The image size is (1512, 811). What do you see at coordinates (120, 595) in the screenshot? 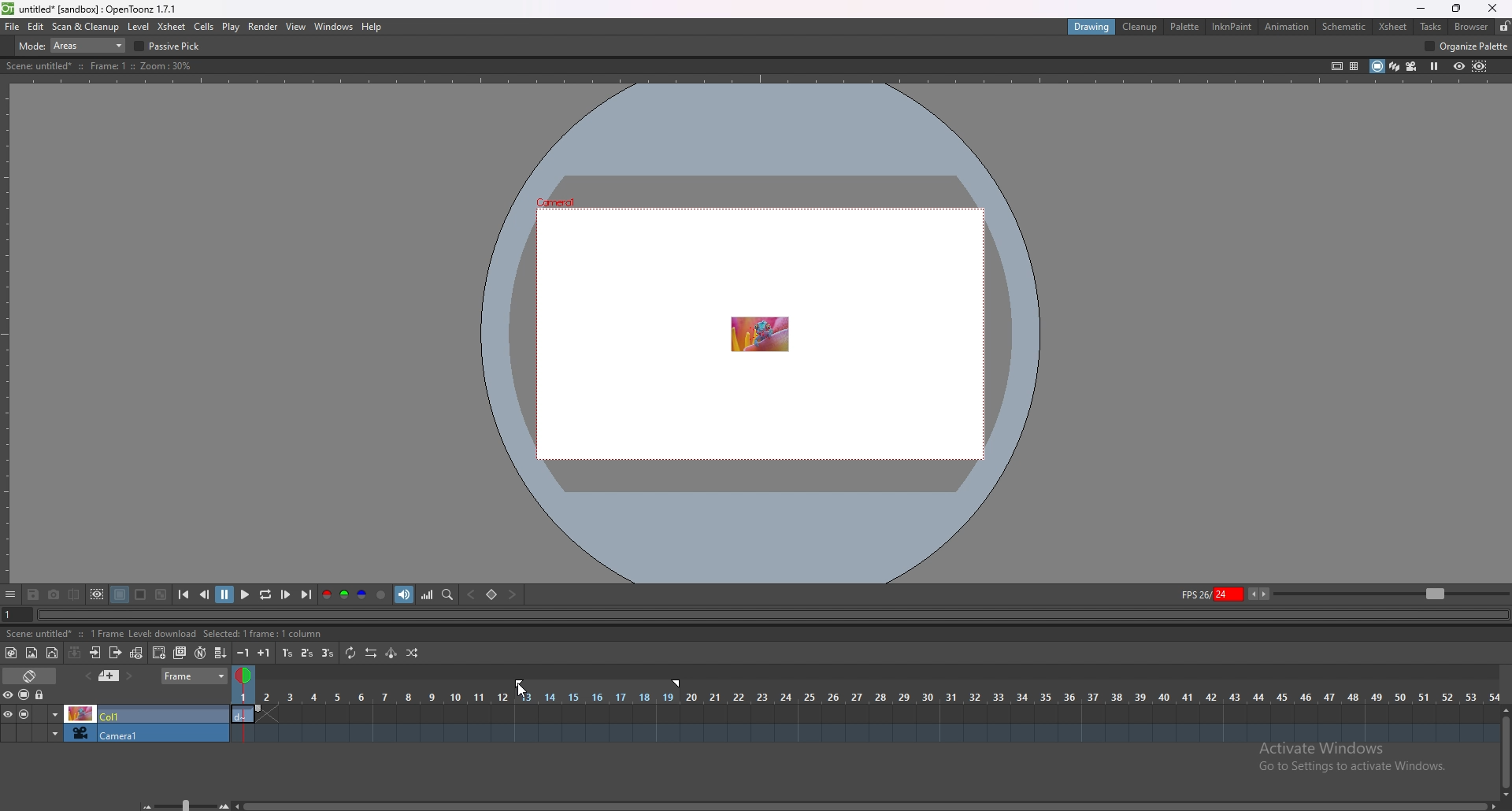
I see `black background` at bounding box center [120, 595].